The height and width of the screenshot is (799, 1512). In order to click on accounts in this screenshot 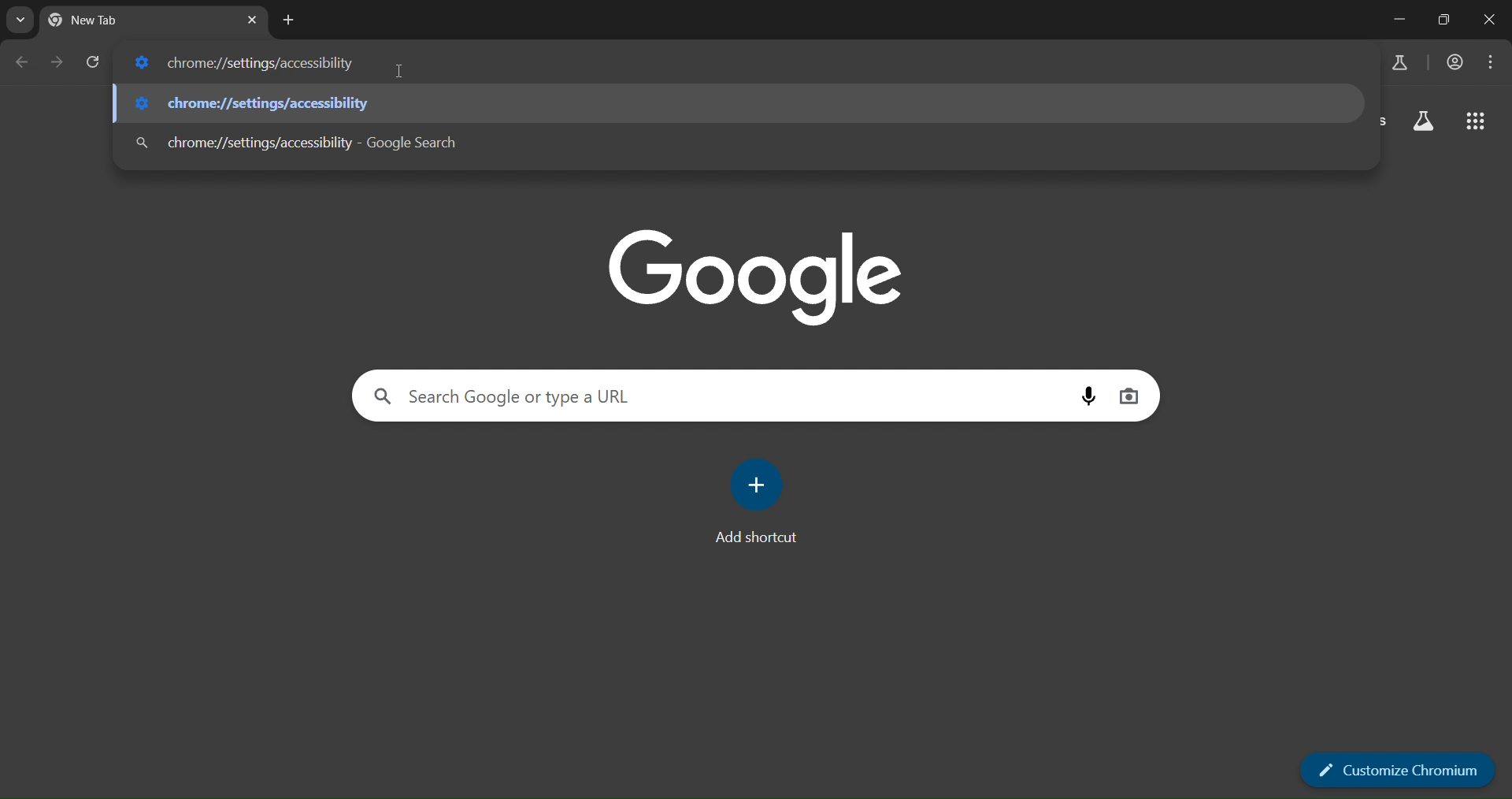, I will do `click(1456, 63)`.